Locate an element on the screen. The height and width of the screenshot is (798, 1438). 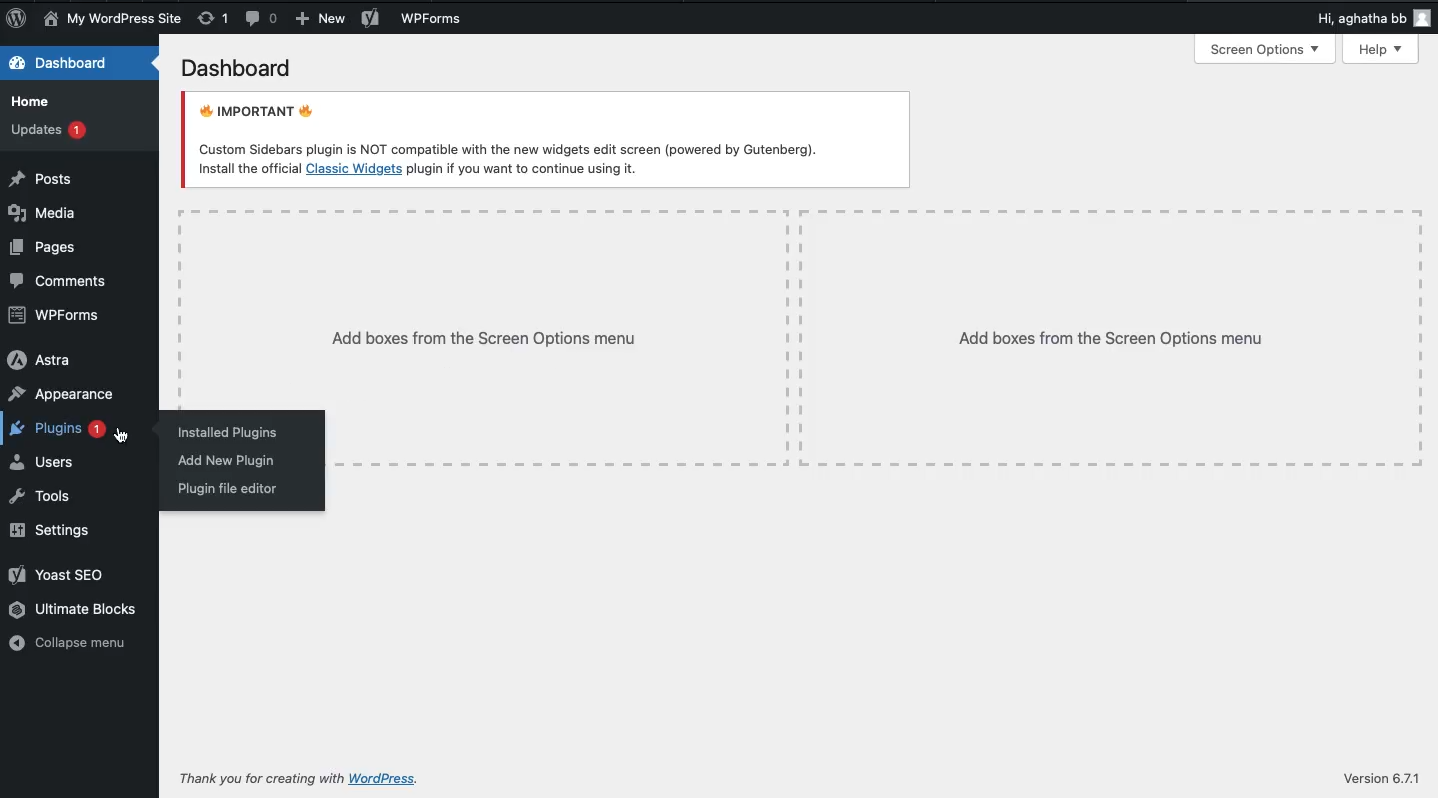
Installed plugins is located at coordinates (233, 434).